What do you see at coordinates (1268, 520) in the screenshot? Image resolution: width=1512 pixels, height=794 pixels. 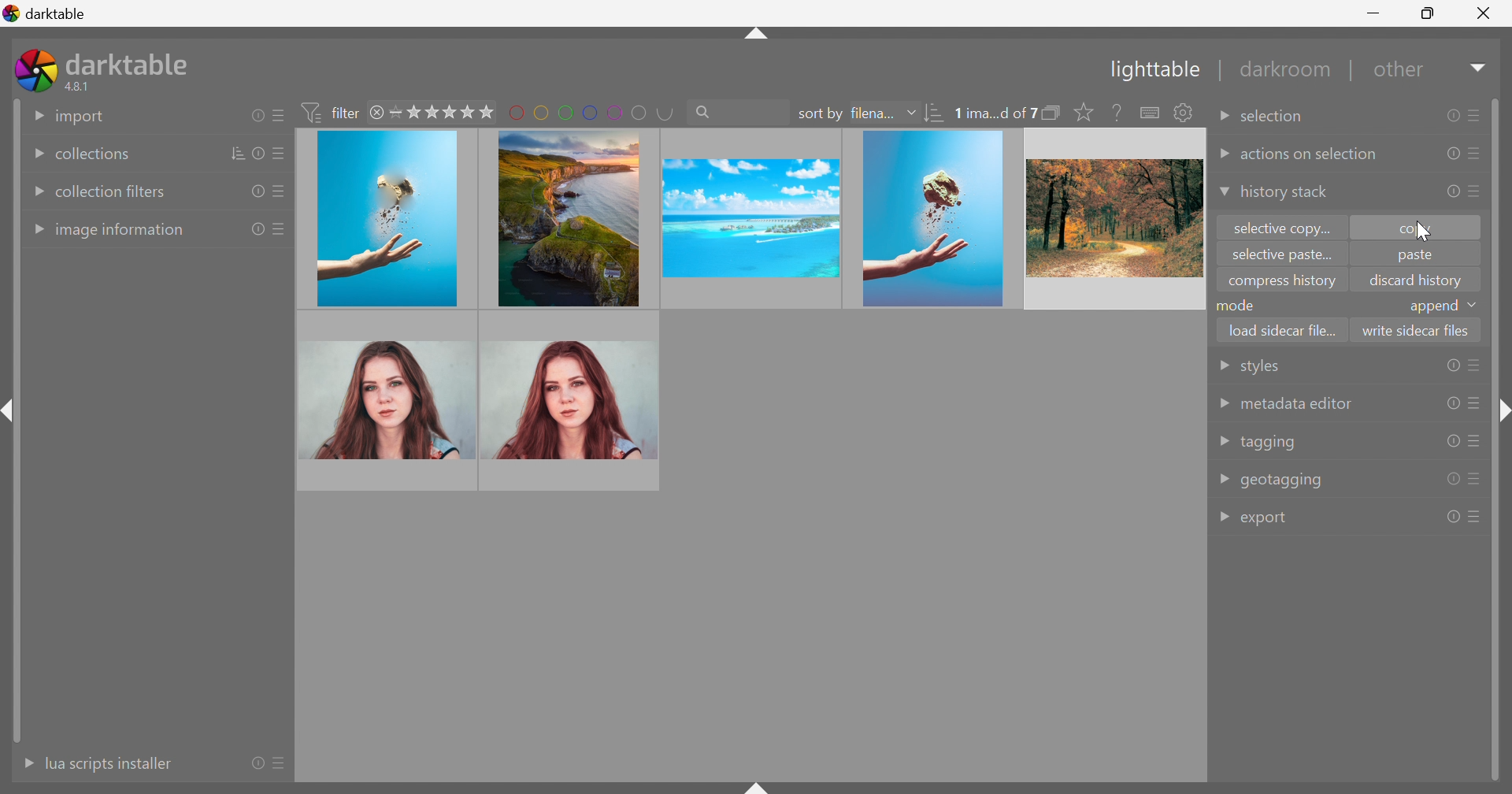 I see `export` at bounding box center [1268, 520].